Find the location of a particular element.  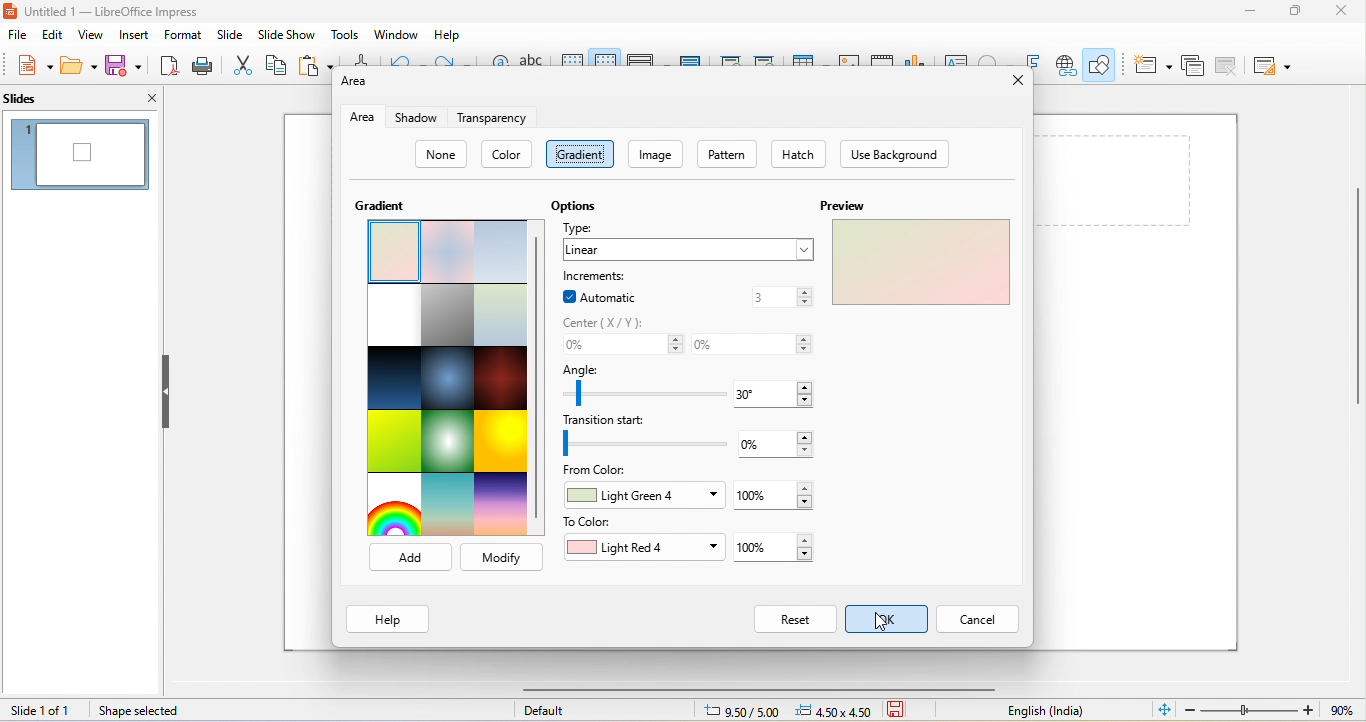

dotted line appeared is located at coordinates (578, 153).